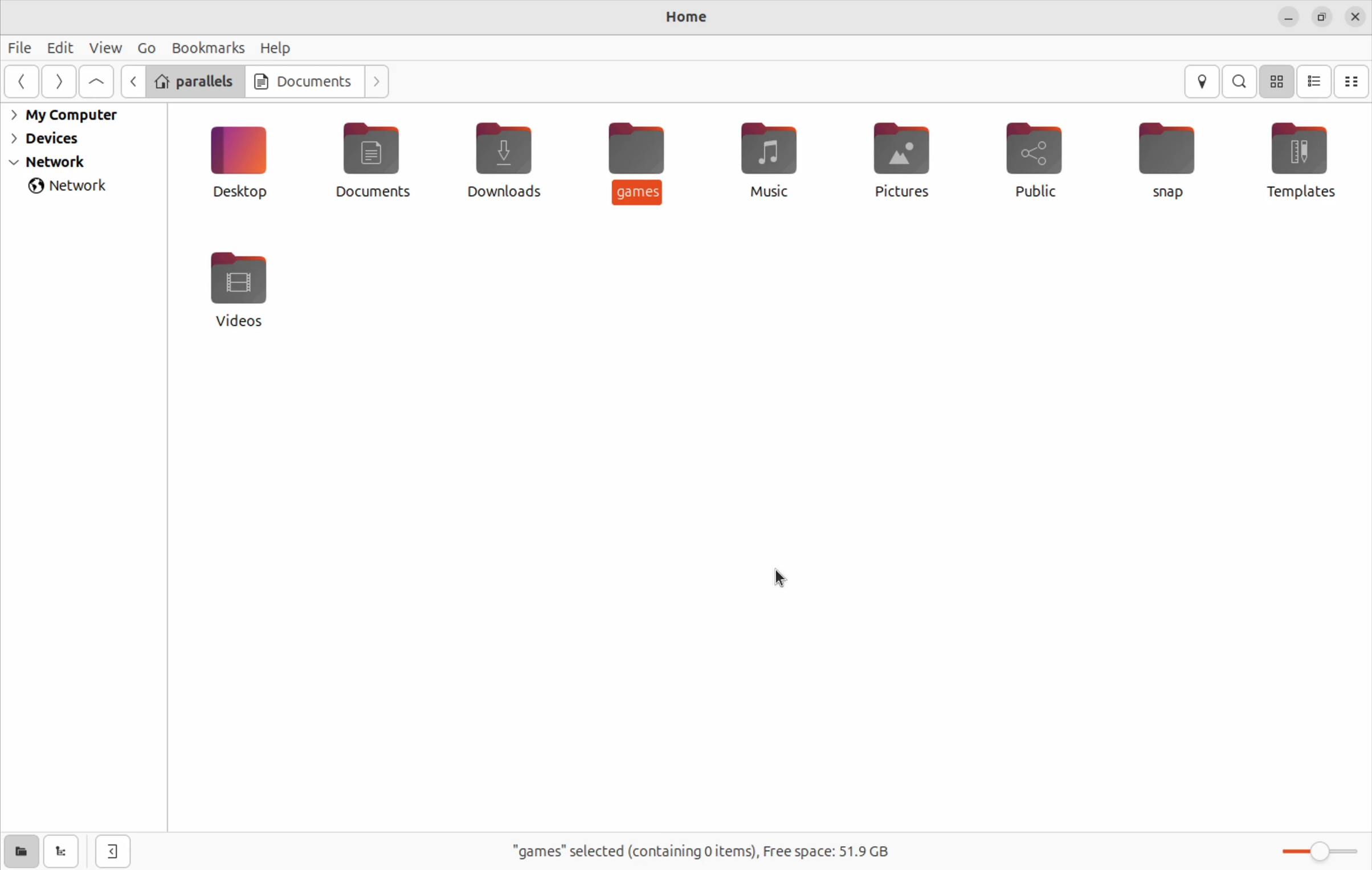  Describe the element at coordinates (132, 80) in the screenshot. I see `backward` at that location.